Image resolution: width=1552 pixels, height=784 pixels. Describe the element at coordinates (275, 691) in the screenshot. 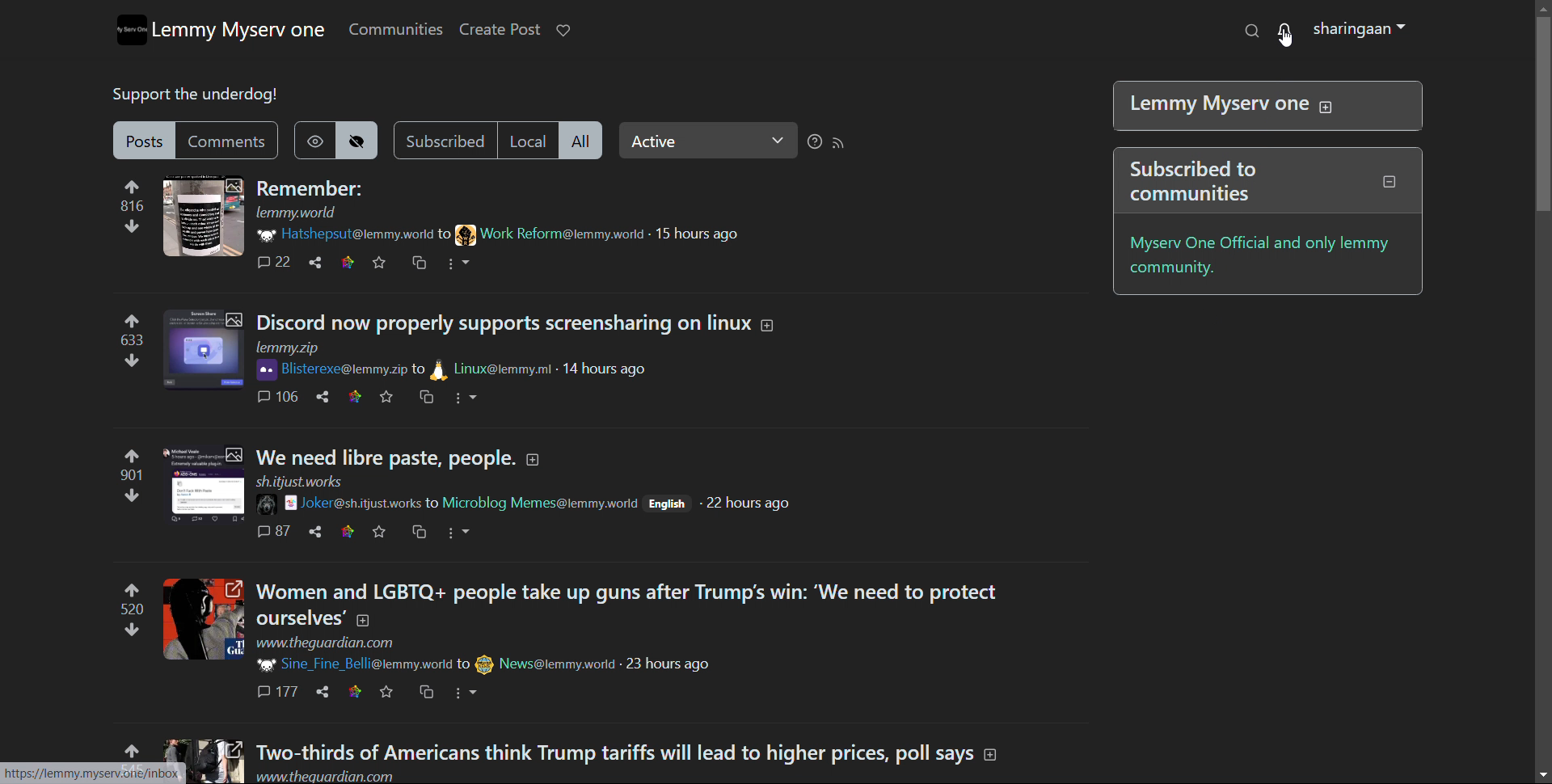

I see `comment` at that location.